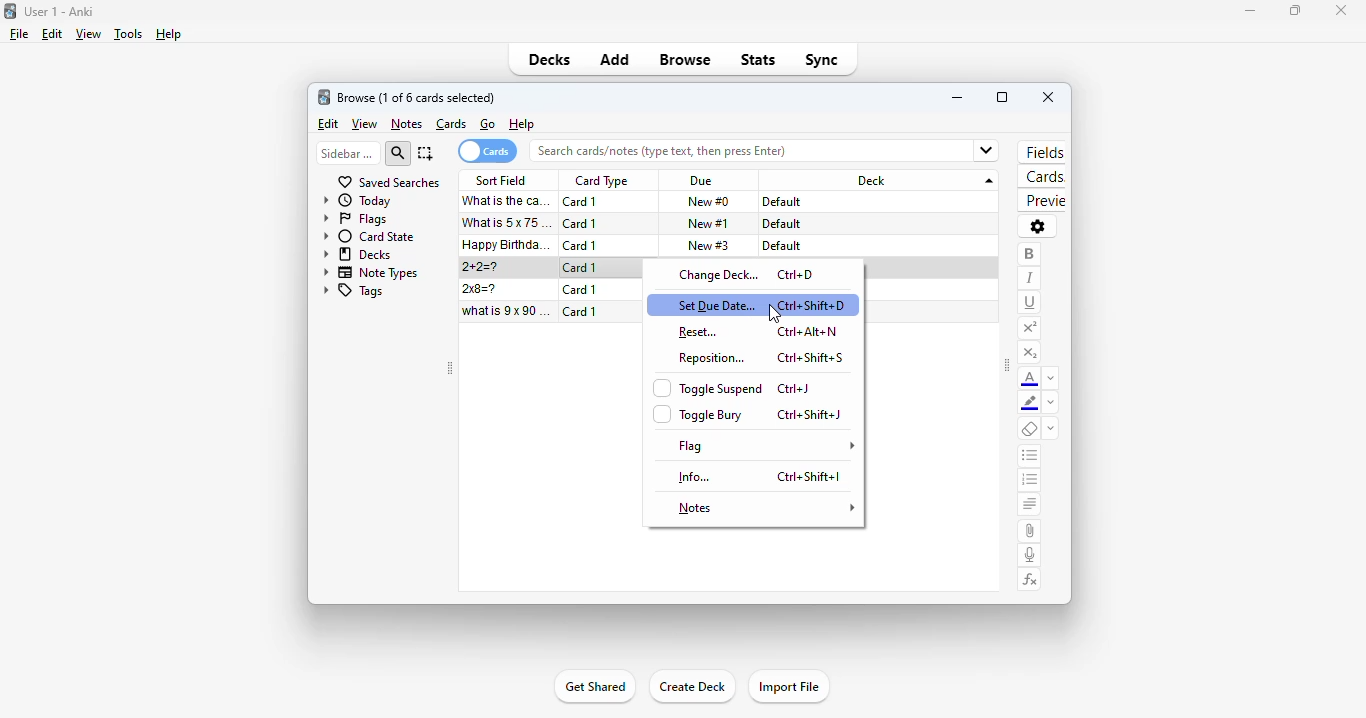  I want to click on import file, so click(789, 686).